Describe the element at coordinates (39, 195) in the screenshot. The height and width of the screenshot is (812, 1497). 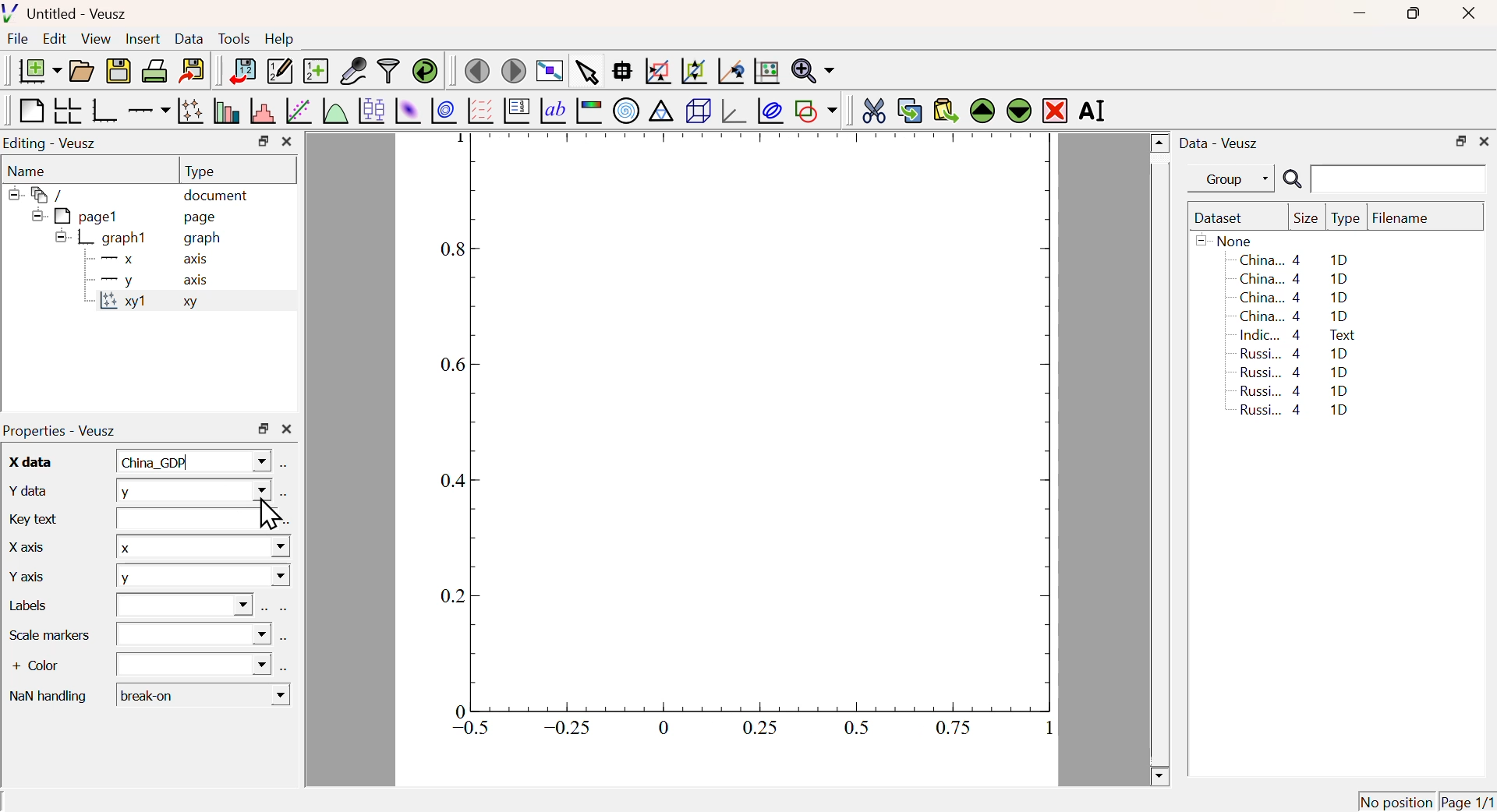
I see `/` at that location.